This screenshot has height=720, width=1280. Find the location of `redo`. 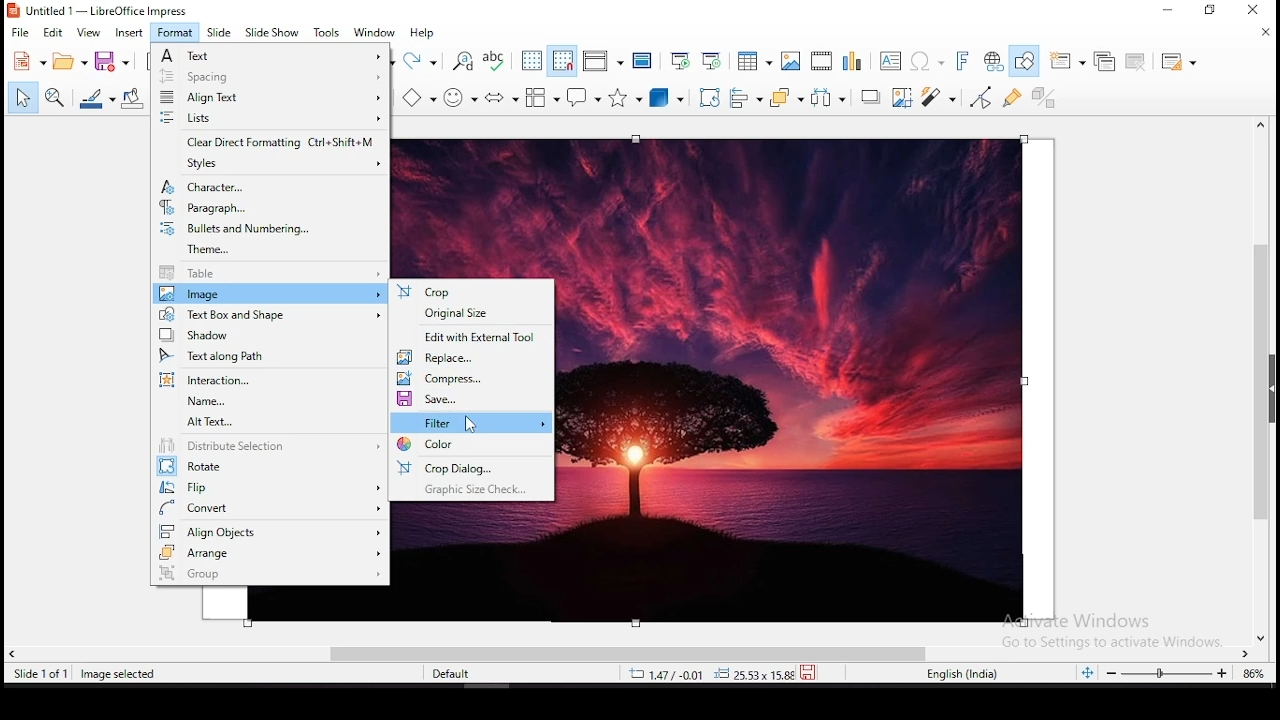

redo is located at coordinates (421, 59).